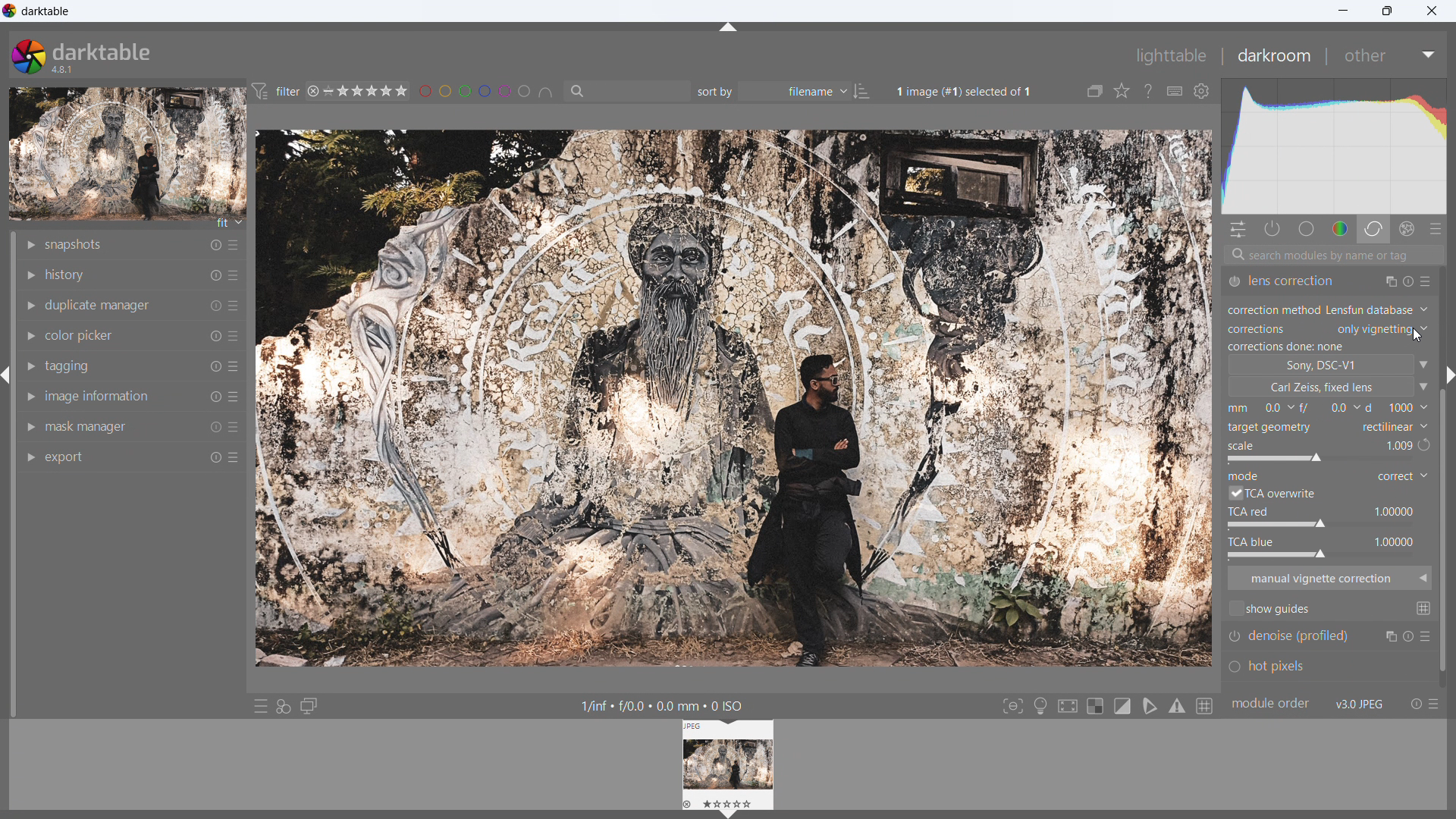 This screenshot has height=819, width=1456. What do you see at coordinates (33, 306) in the screenshot?
I see `show module` at bounding box center [33, 306].